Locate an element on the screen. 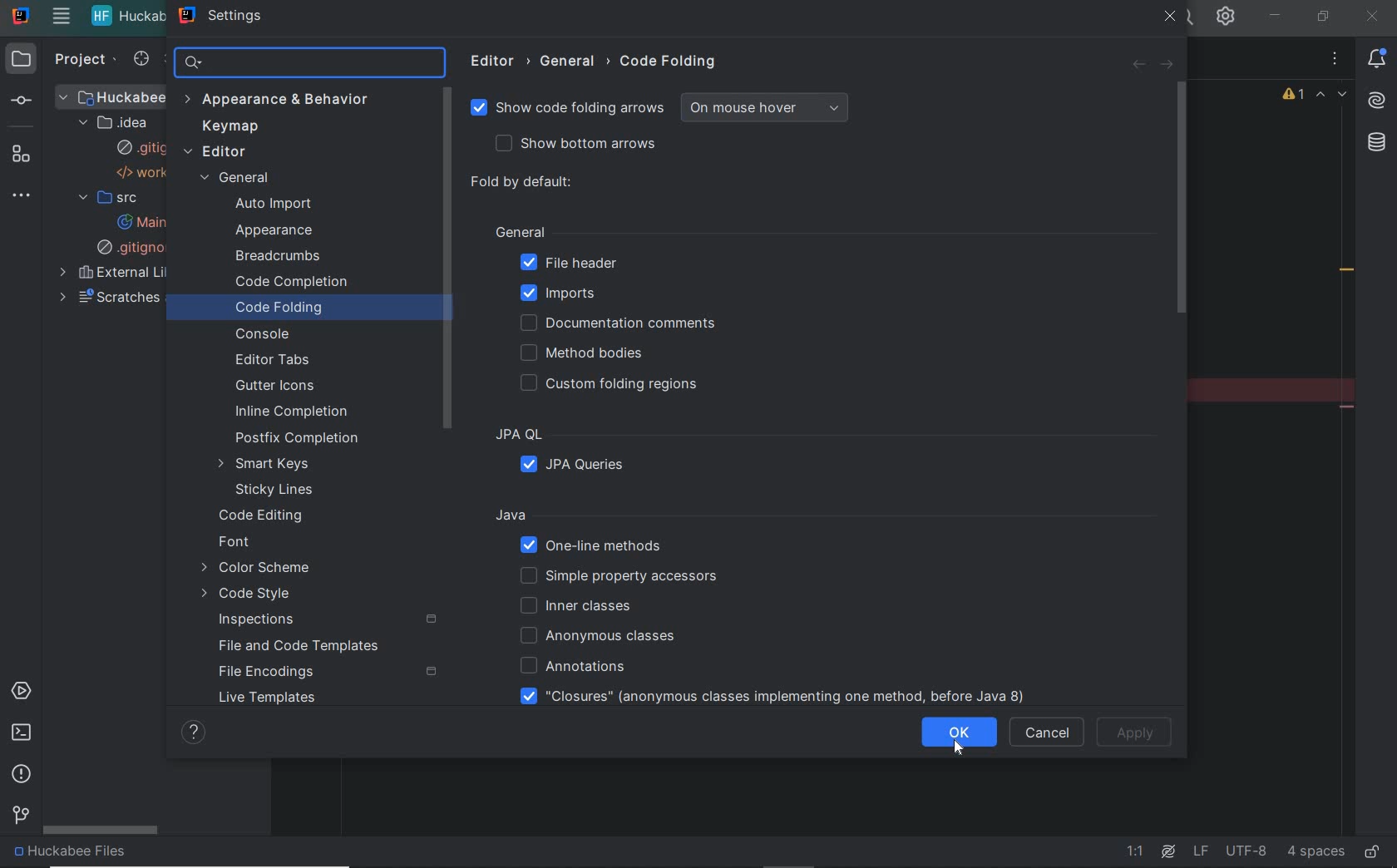 Image resolution: width=1397 pixels, height=868 pixels. warnings is located at coordinates (1292, 96).